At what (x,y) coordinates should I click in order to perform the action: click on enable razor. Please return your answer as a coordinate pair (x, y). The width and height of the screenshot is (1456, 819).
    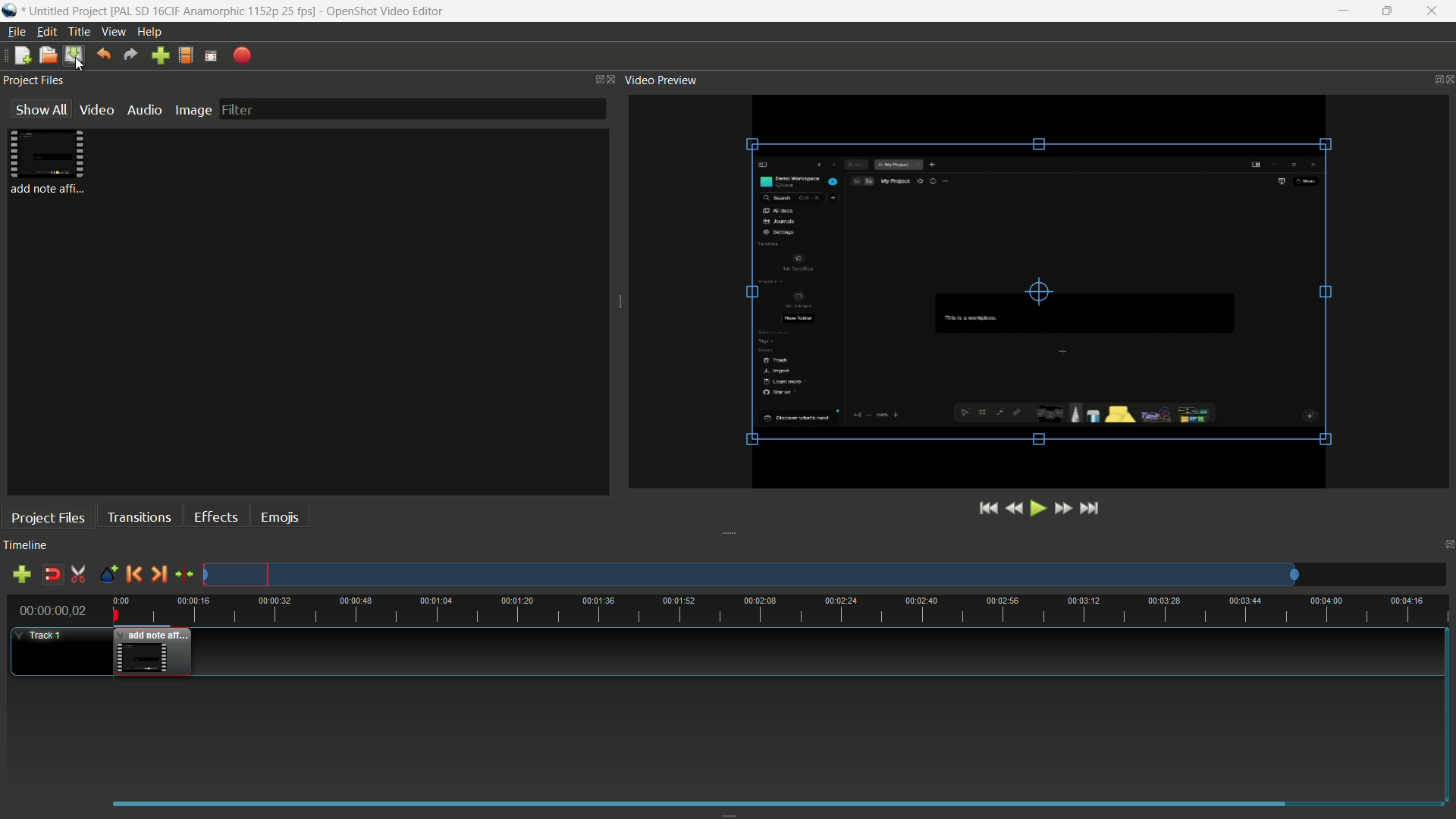
    Looking at the image, I should click on (78, 576).